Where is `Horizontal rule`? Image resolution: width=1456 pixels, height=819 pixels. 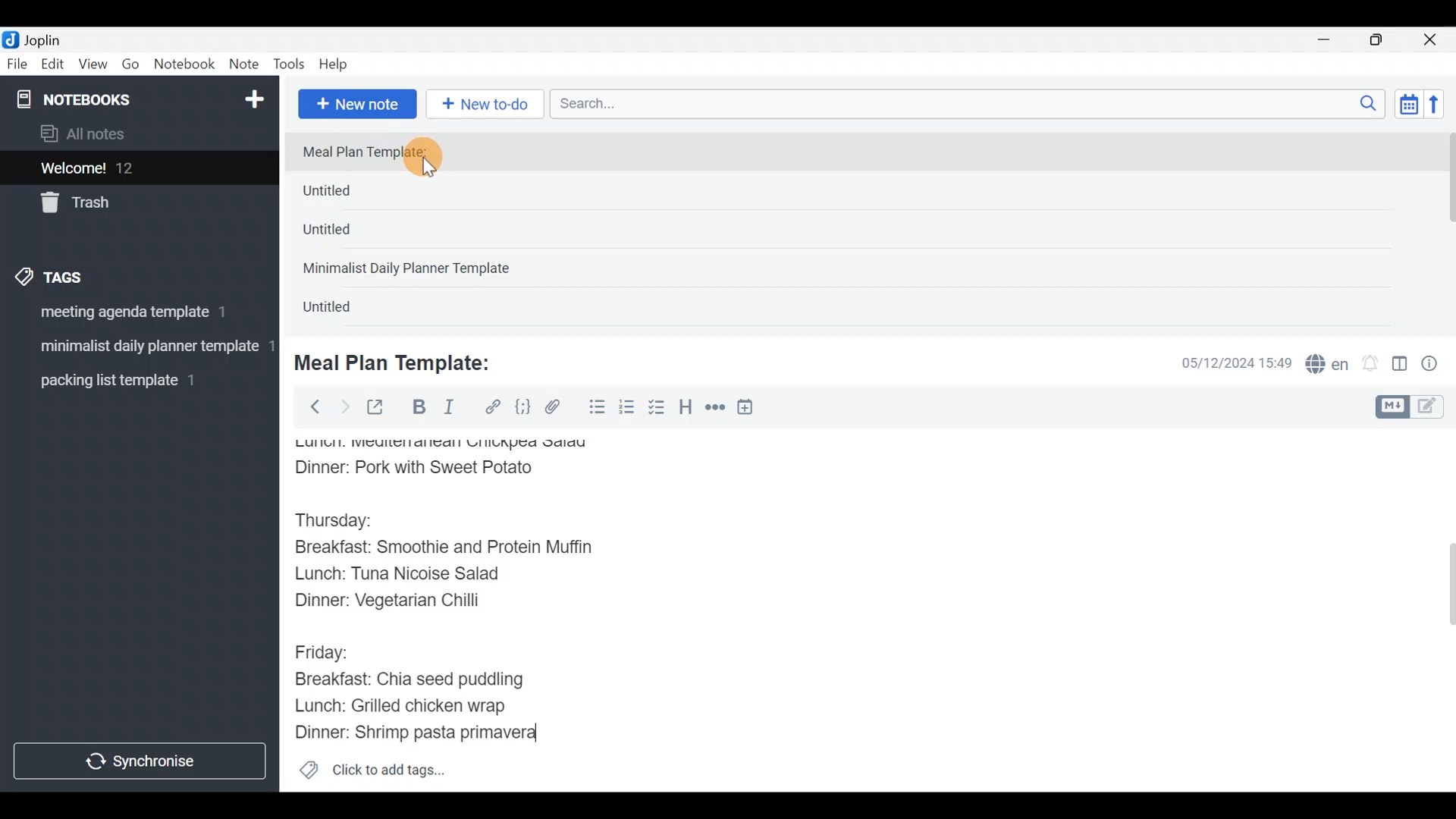
Horizontal rule is located at coordinates (715, 409).